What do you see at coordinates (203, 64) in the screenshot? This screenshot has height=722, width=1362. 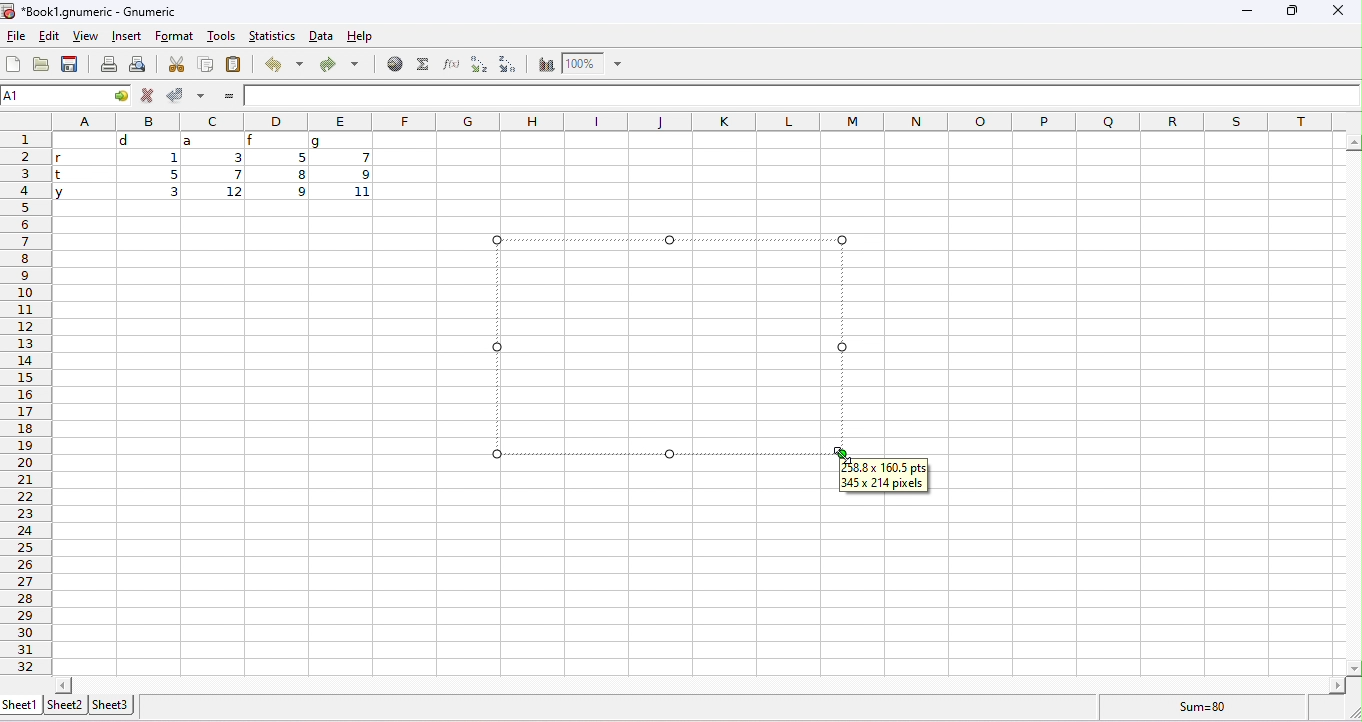 I see `copy` at bounding box center [203, 64].